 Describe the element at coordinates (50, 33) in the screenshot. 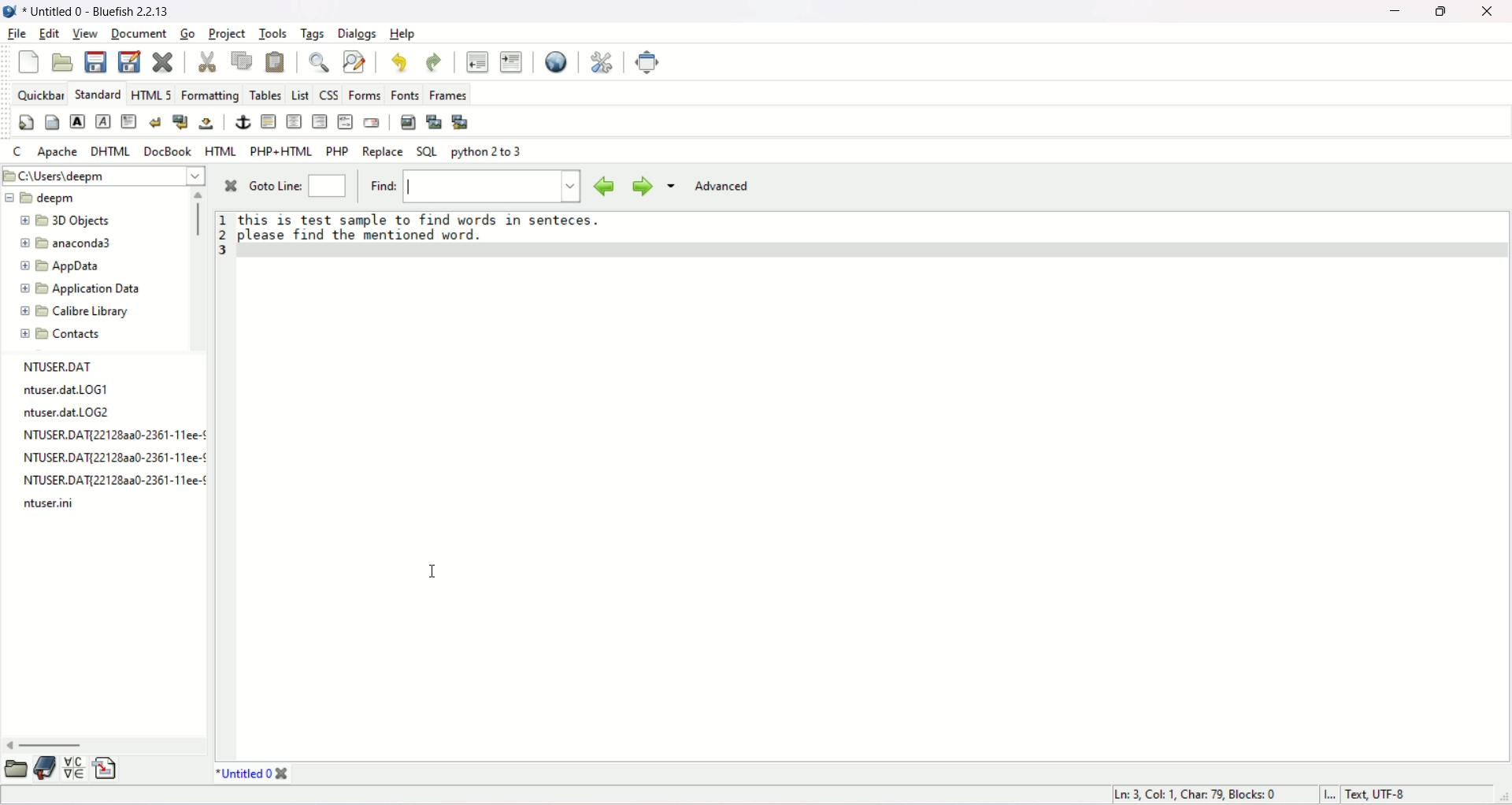

I see `edit` at that location.